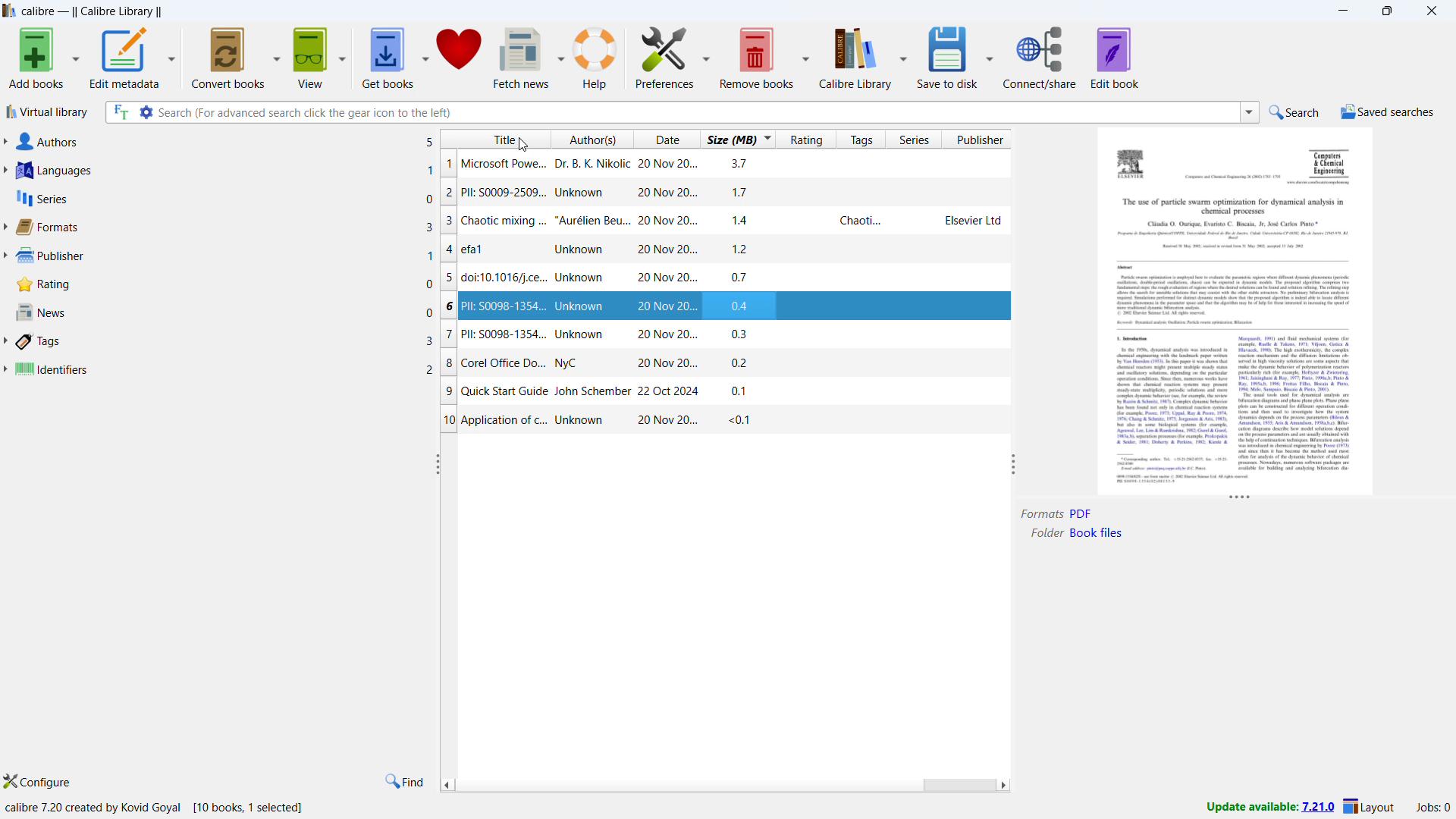  Describe the element at coordinates (1233, 301) in the screenshot. I see `` at that location.